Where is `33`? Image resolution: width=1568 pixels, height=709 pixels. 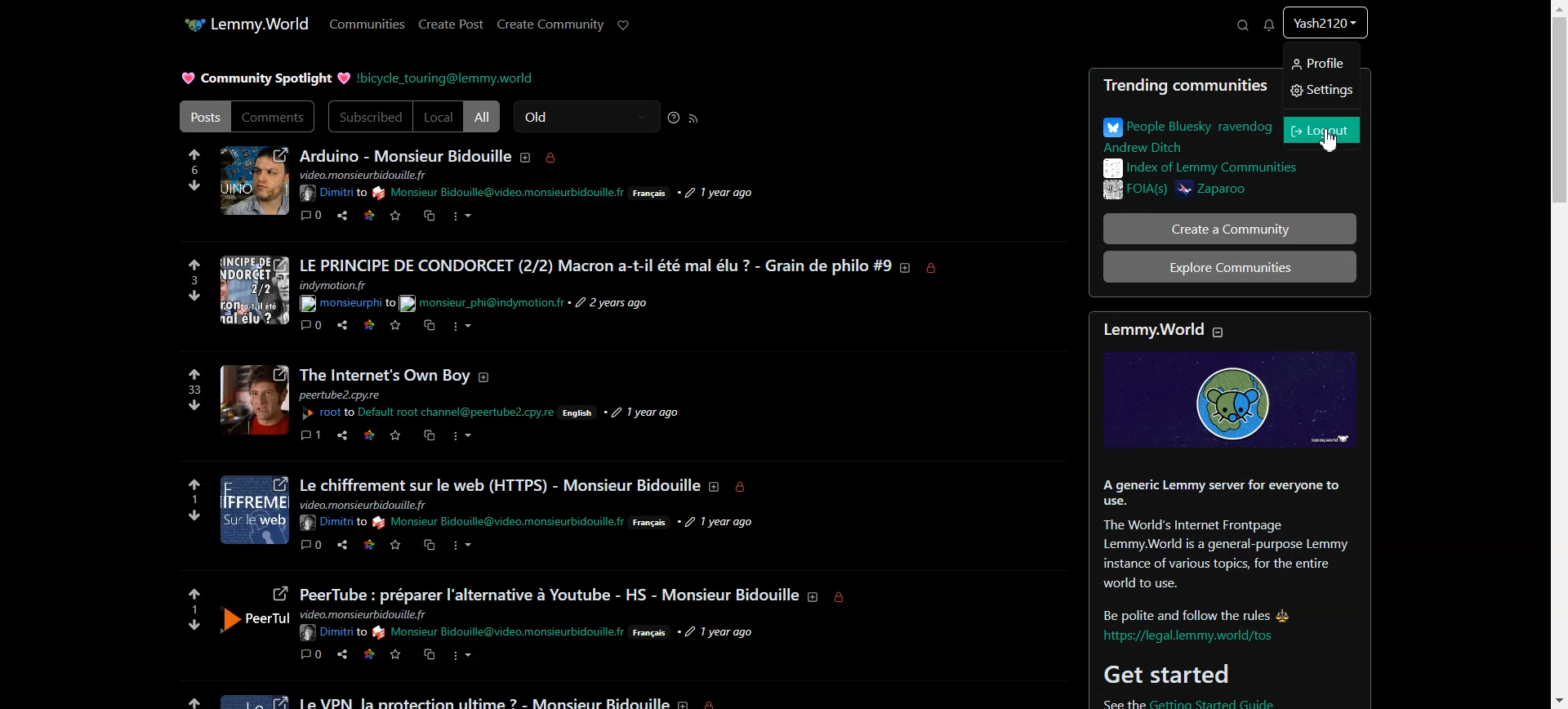
33 is located at coordinates (190, 390).